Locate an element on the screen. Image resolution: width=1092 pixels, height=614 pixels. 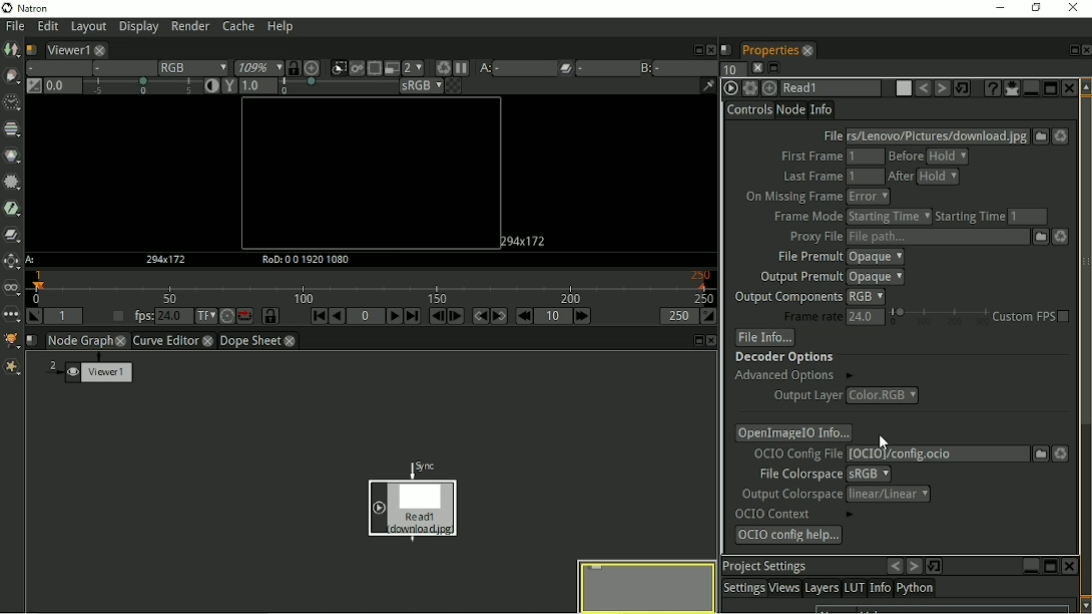
Close is located at coordinates (1075, 8).